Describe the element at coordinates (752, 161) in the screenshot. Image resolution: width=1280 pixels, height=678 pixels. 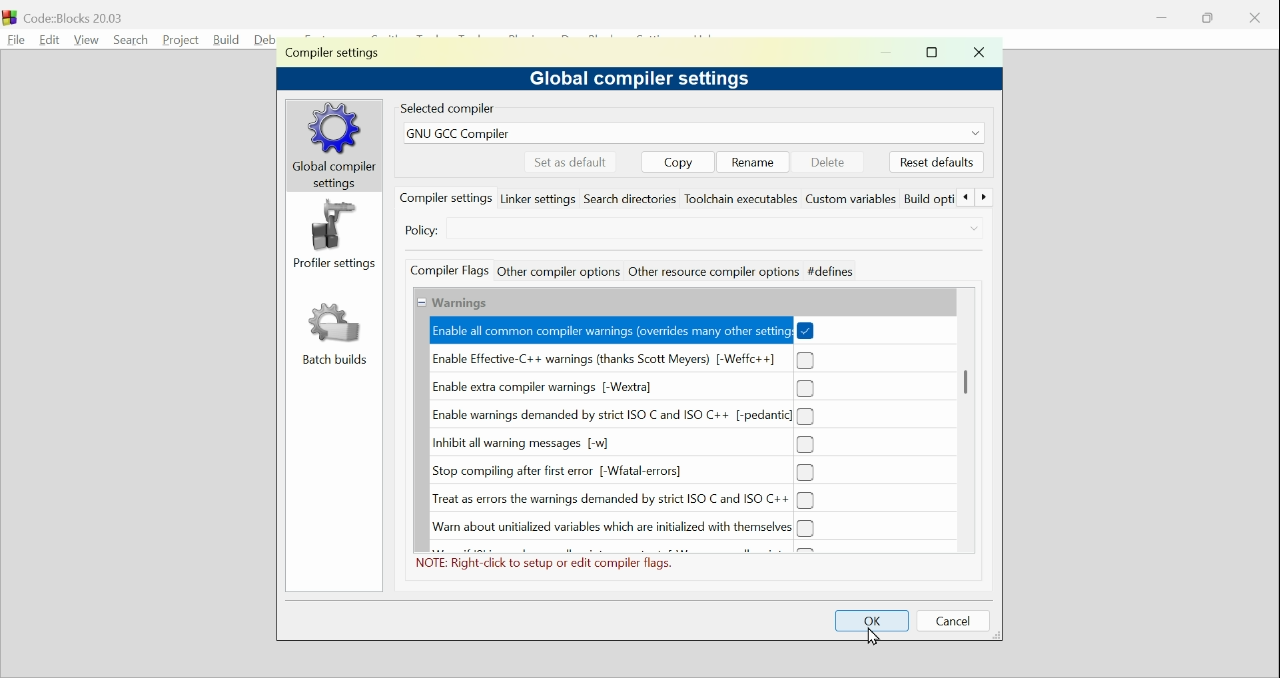
I see `Rename` at that location.